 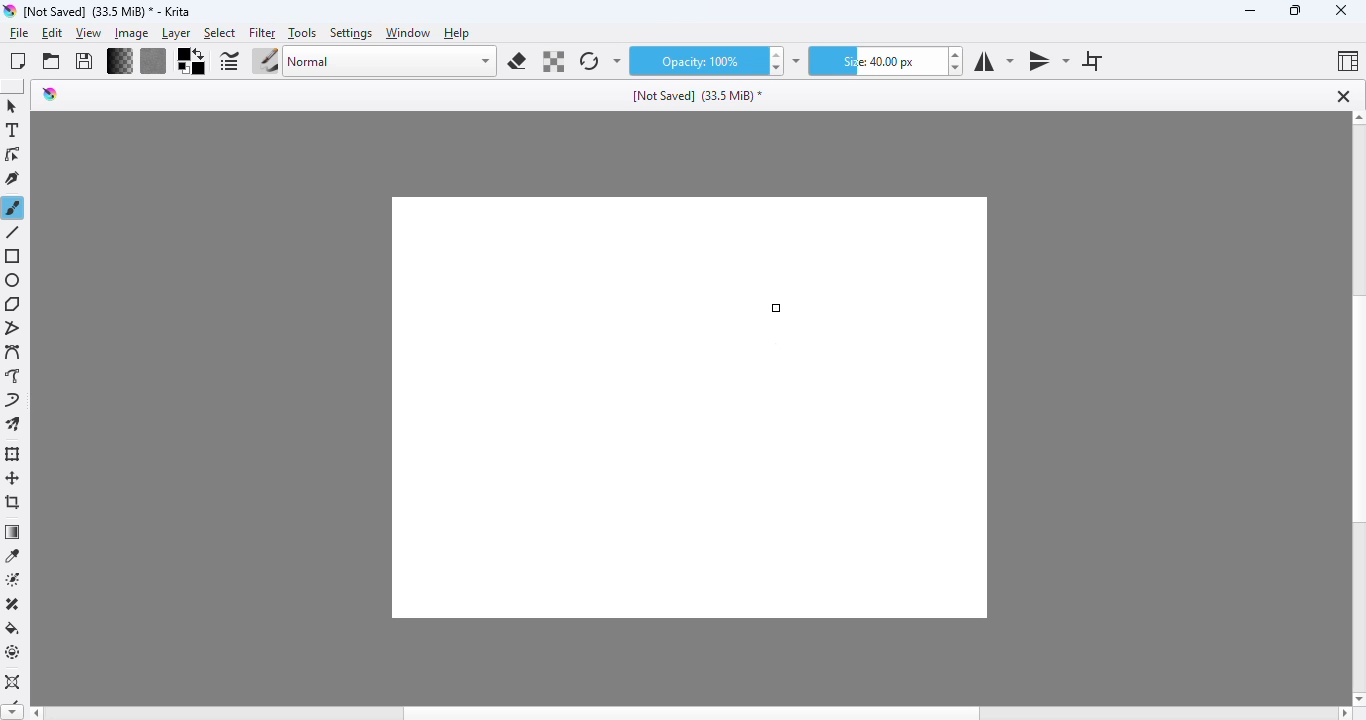 I want to click on Scroll Down, so click(x=1357, y=696).